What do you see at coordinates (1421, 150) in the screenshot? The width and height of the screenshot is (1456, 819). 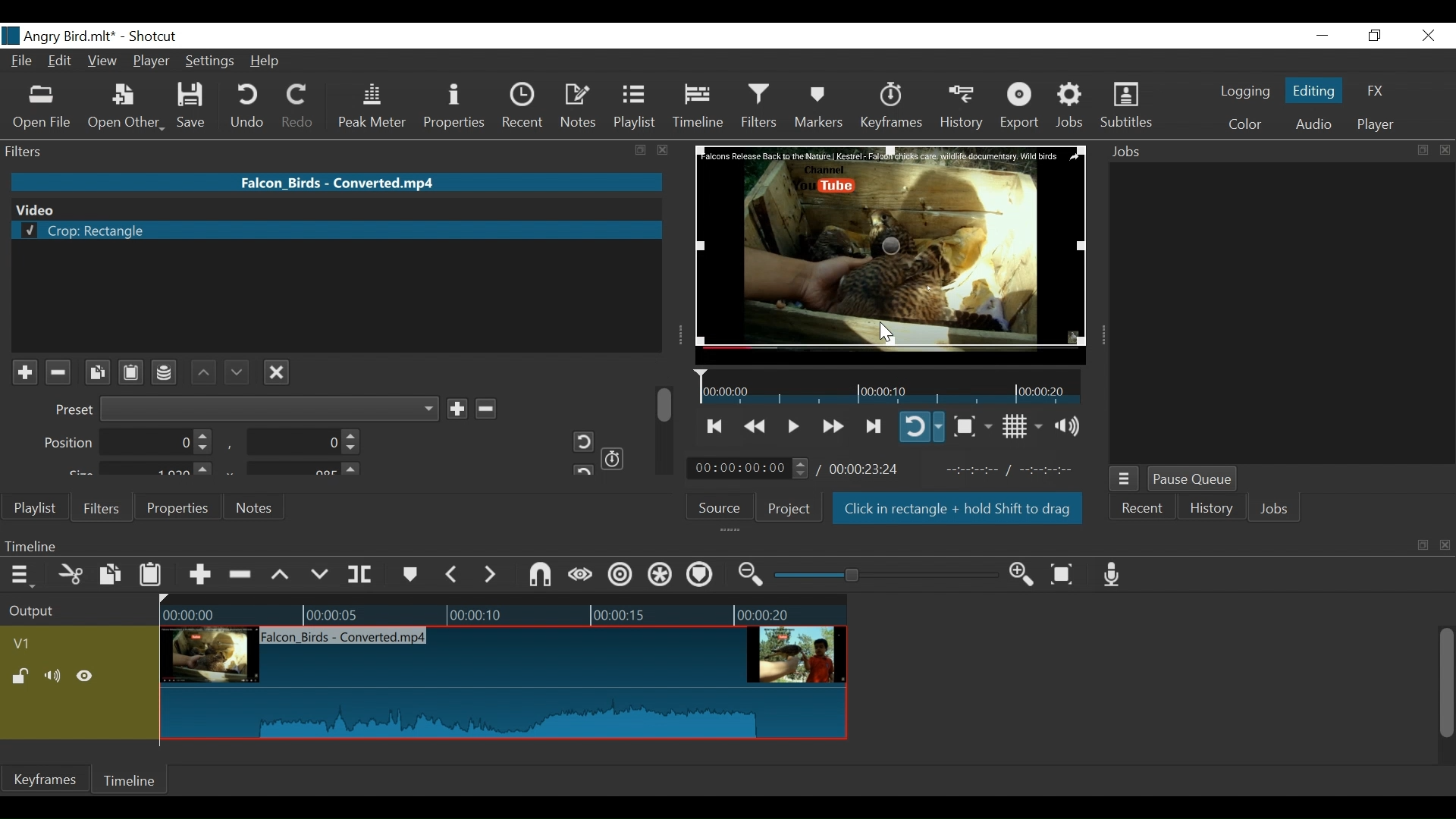 I see `copy` at bounding box center [1421, 150].